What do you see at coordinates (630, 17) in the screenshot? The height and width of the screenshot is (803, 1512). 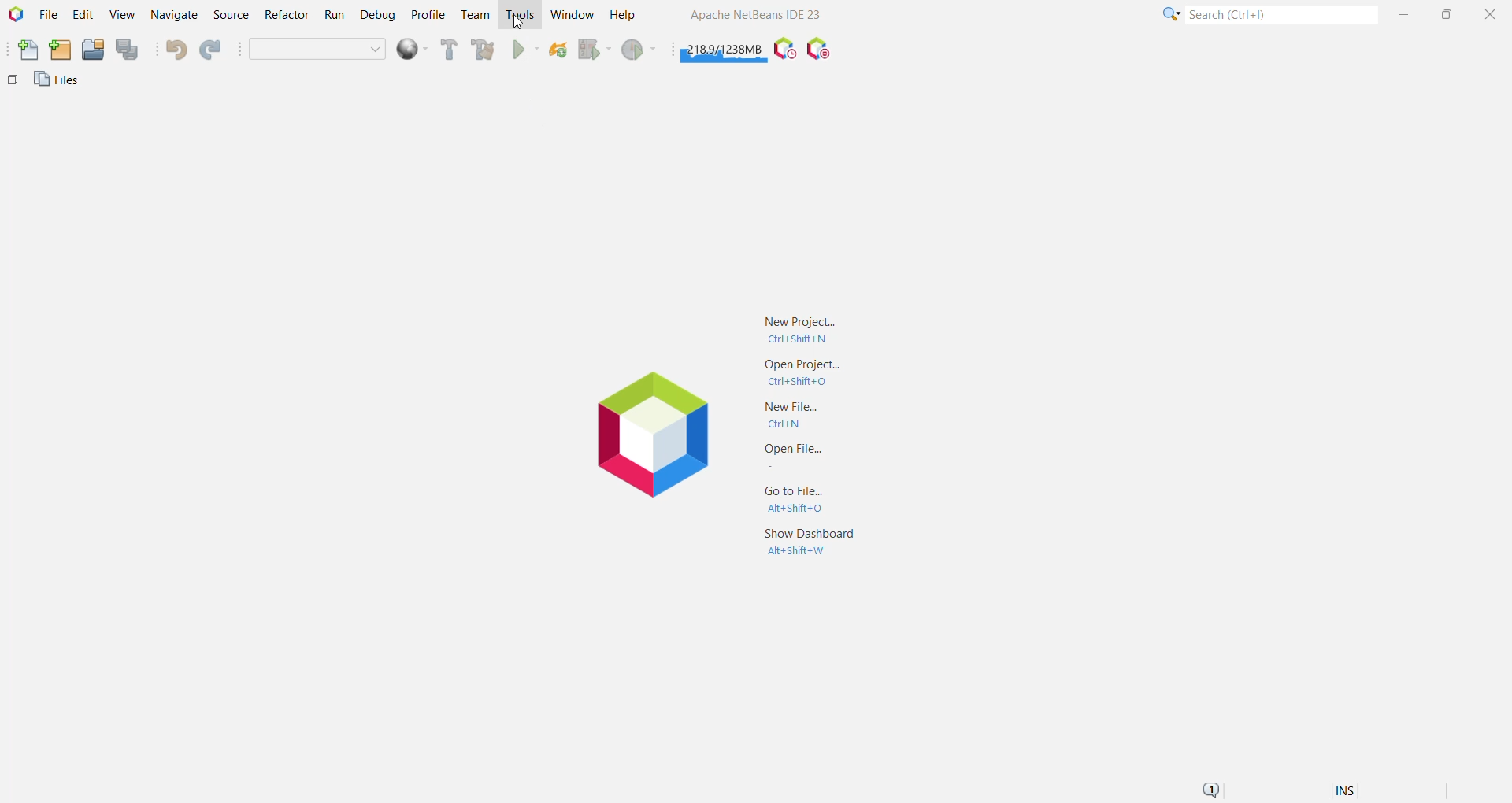 I see `Help` at bounding box center [630, 17].